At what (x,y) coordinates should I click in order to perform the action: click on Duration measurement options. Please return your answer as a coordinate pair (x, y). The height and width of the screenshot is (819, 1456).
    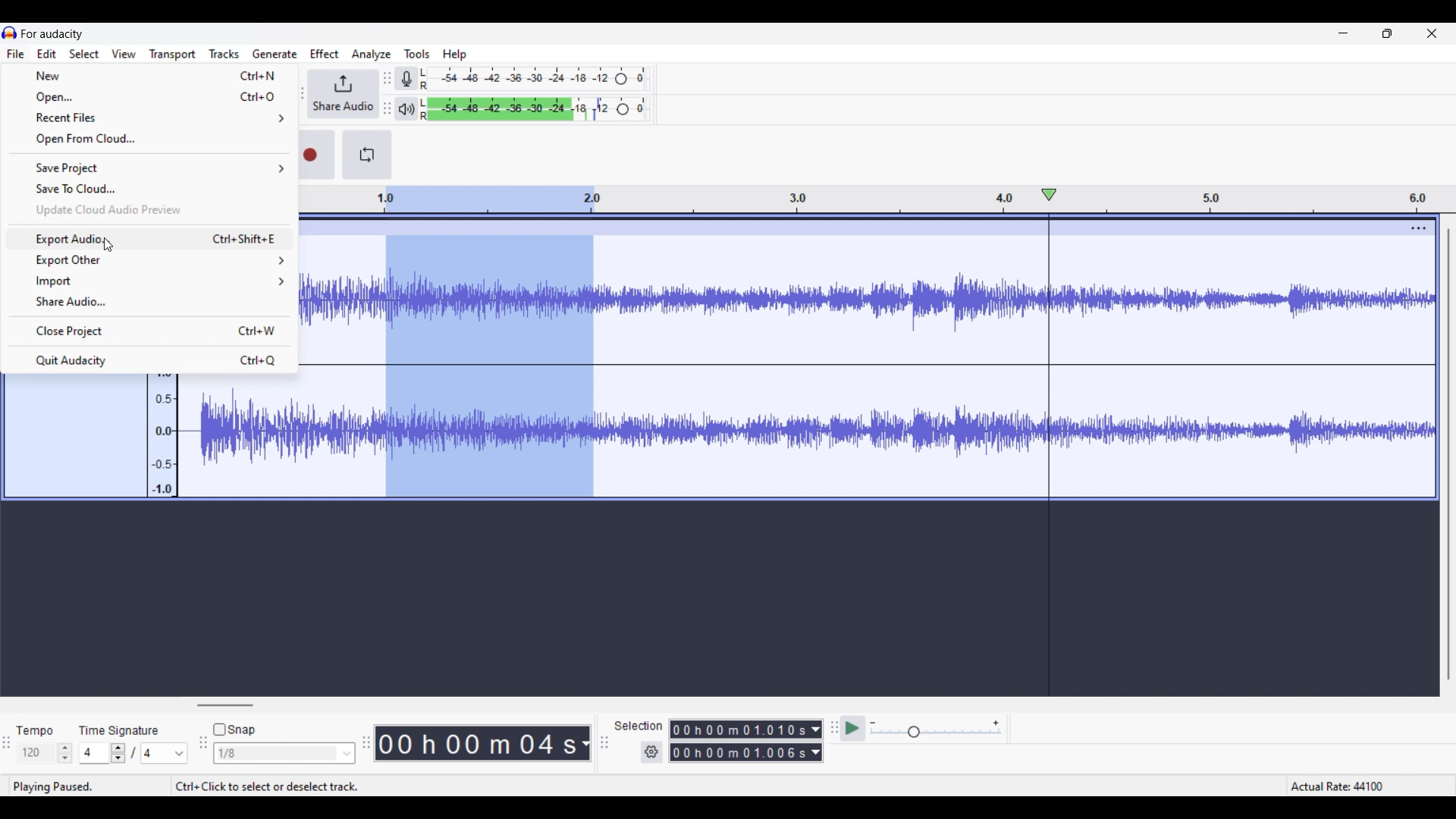
    Looking at the image, I should click on (585, 743).